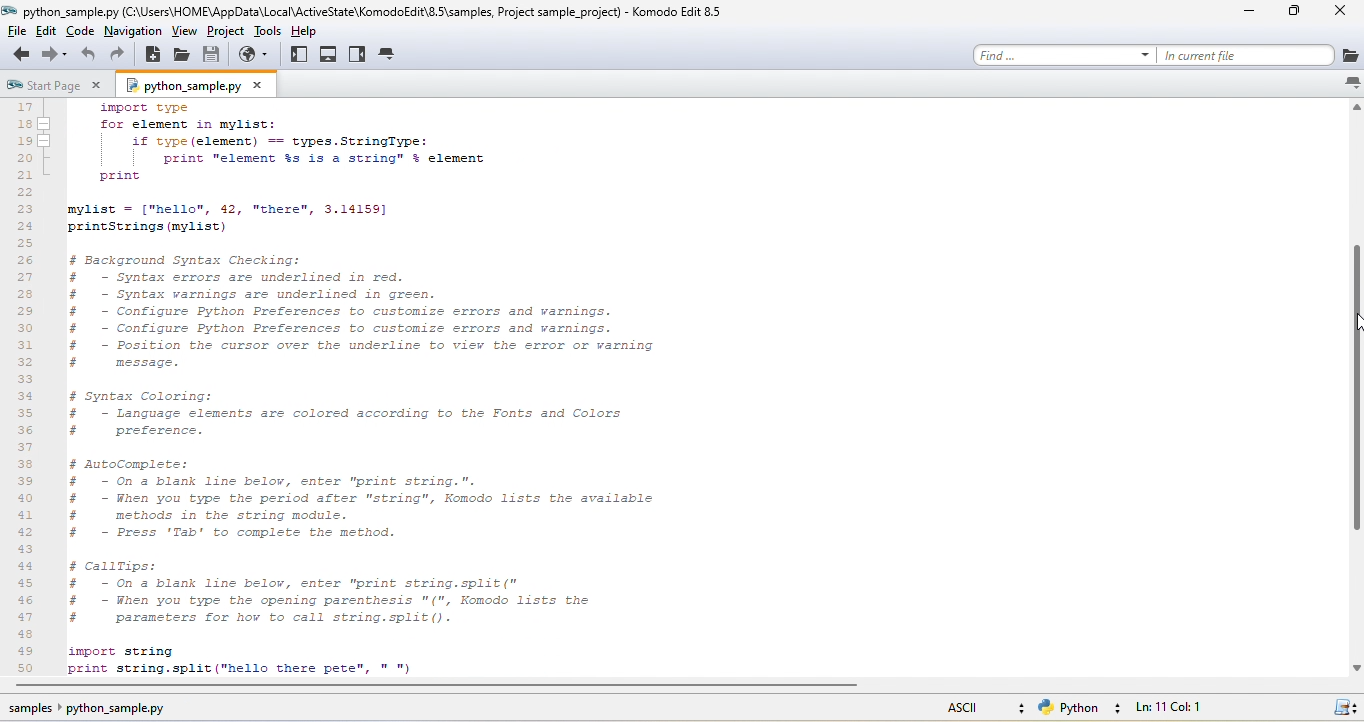 This screenshot has height=722, width=1364. Describe the element at coordinates (18, 55) in the screenshot. I see `back` at that location.